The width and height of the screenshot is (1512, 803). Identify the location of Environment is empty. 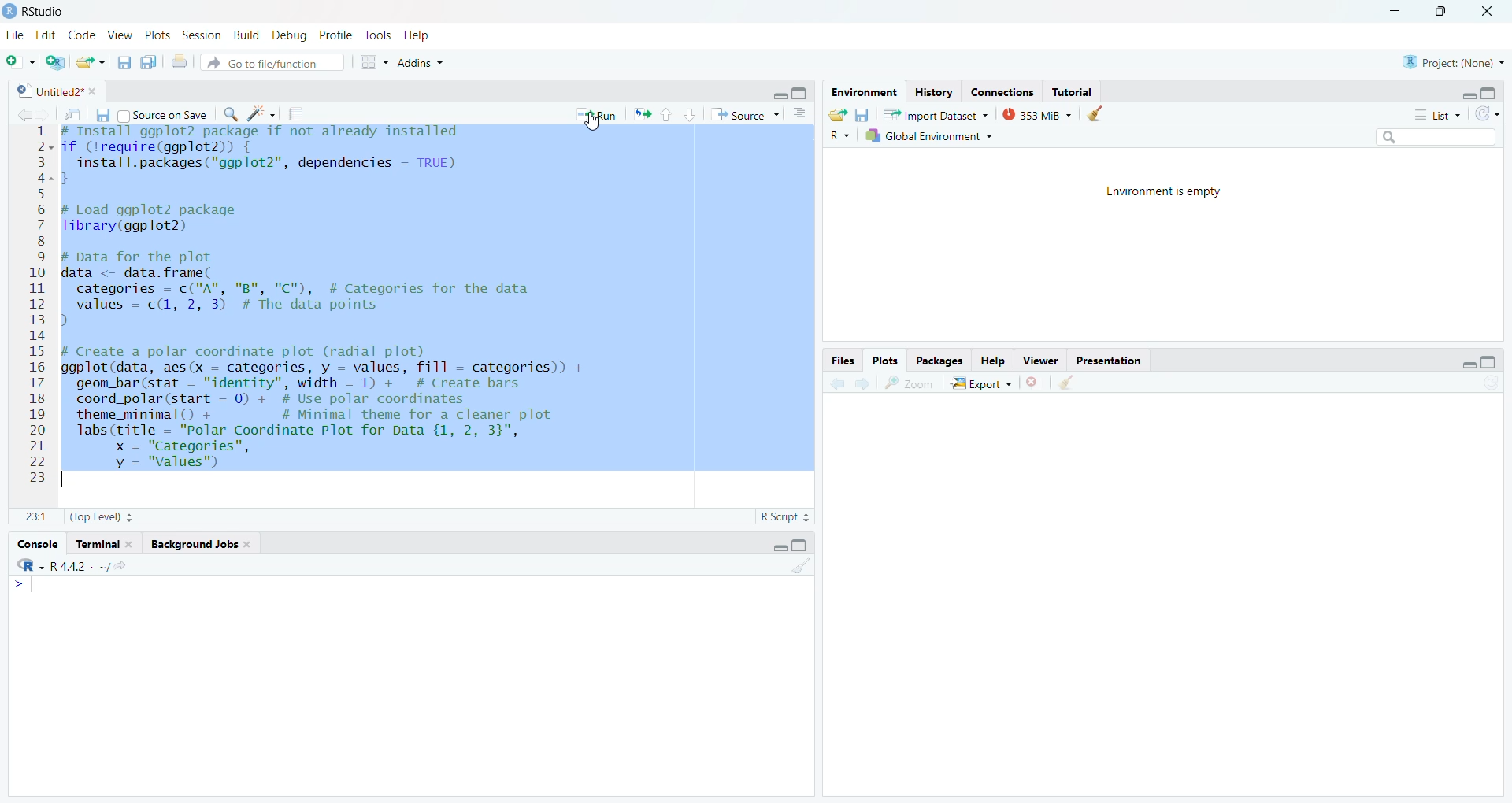
(1168, 194).